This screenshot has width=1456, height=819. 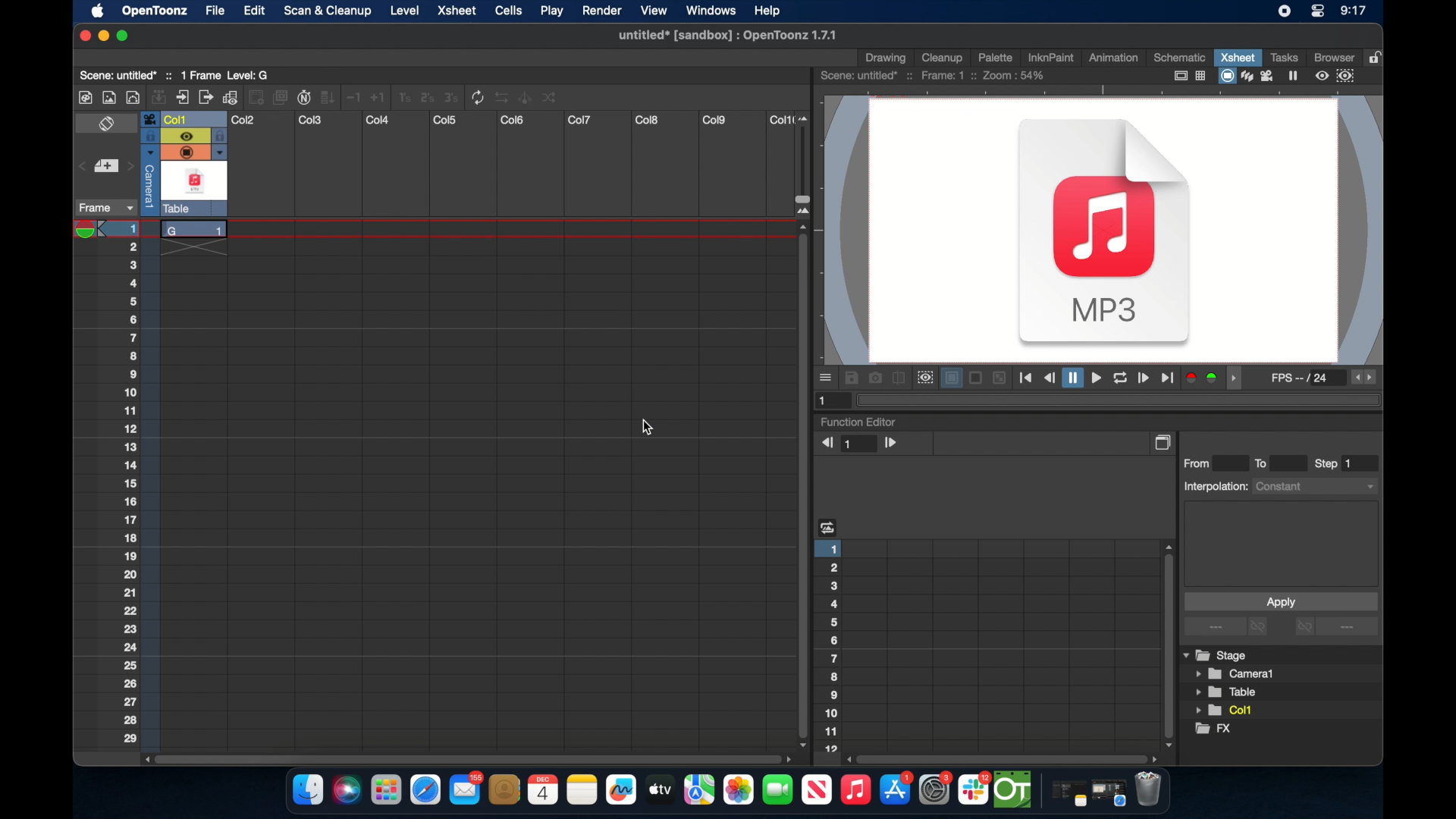 What do you see at coordinates (146, 163) in the screenshot?
I see `column selected` at bounding box center [146, 163].